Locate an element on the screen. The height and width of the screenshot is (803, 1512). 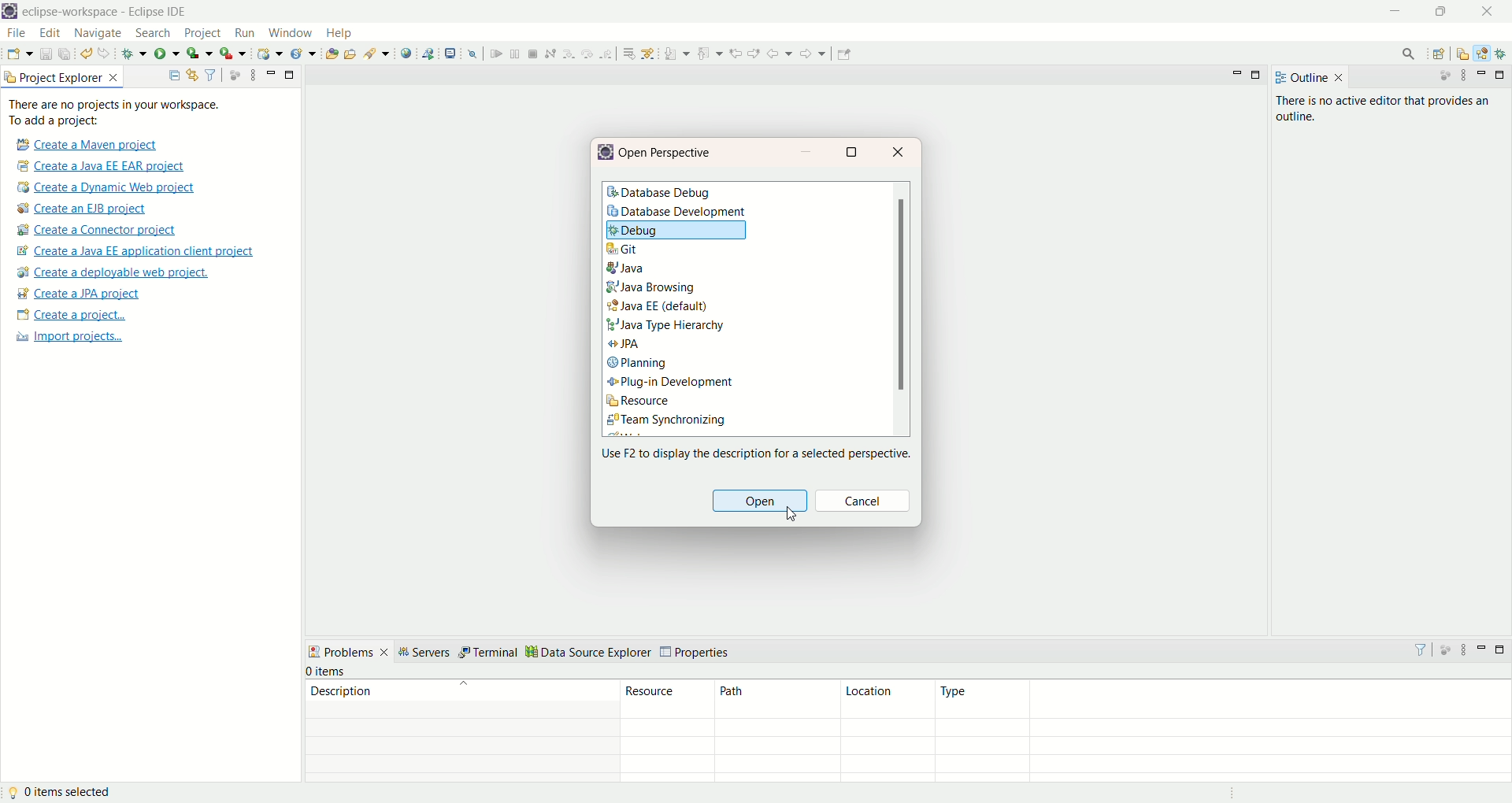
forward is located at coordinates (812, 54).